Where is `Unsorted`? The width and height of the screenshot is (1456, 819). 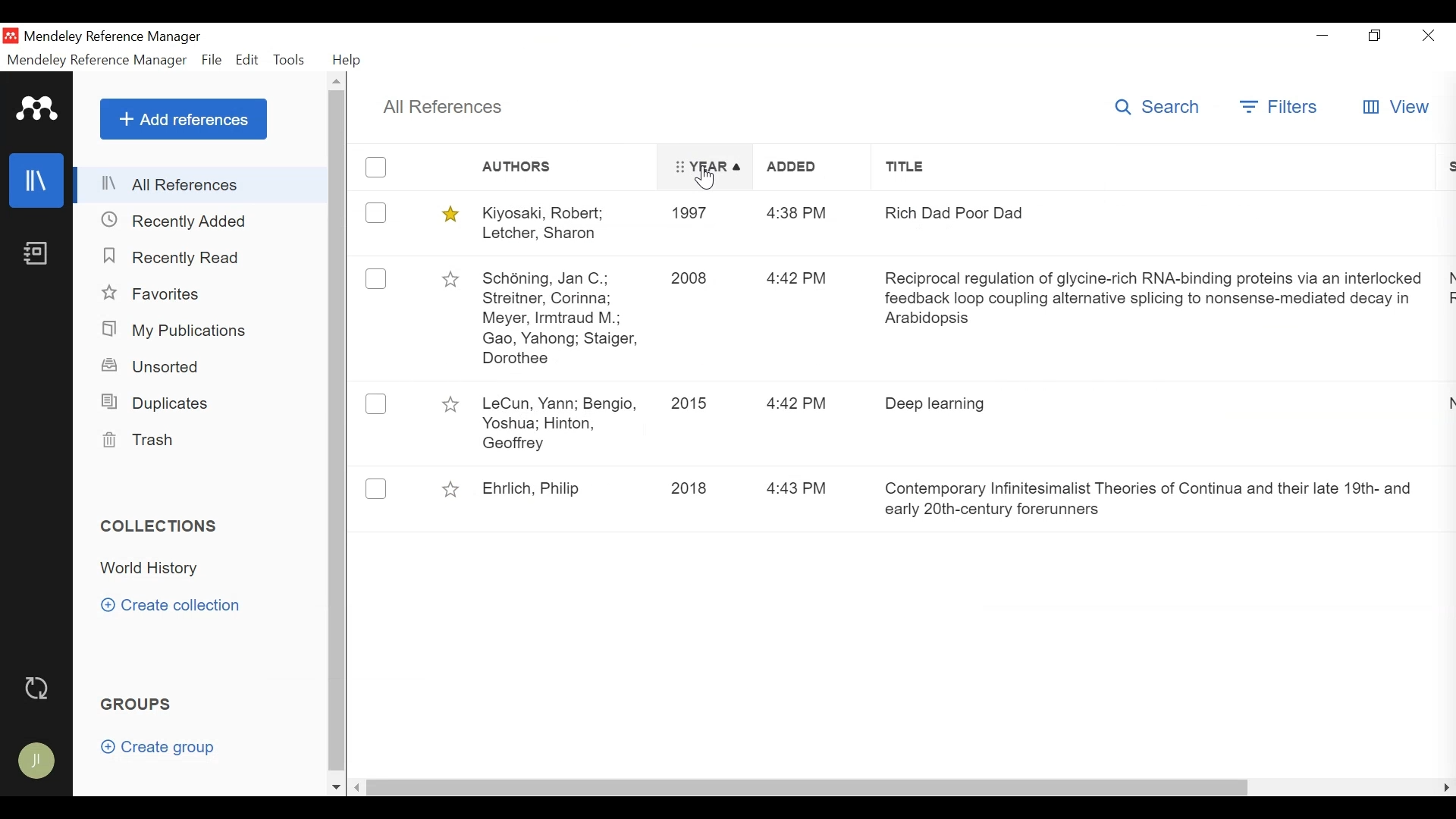
Unsorted is located at coordinates (152, 366).